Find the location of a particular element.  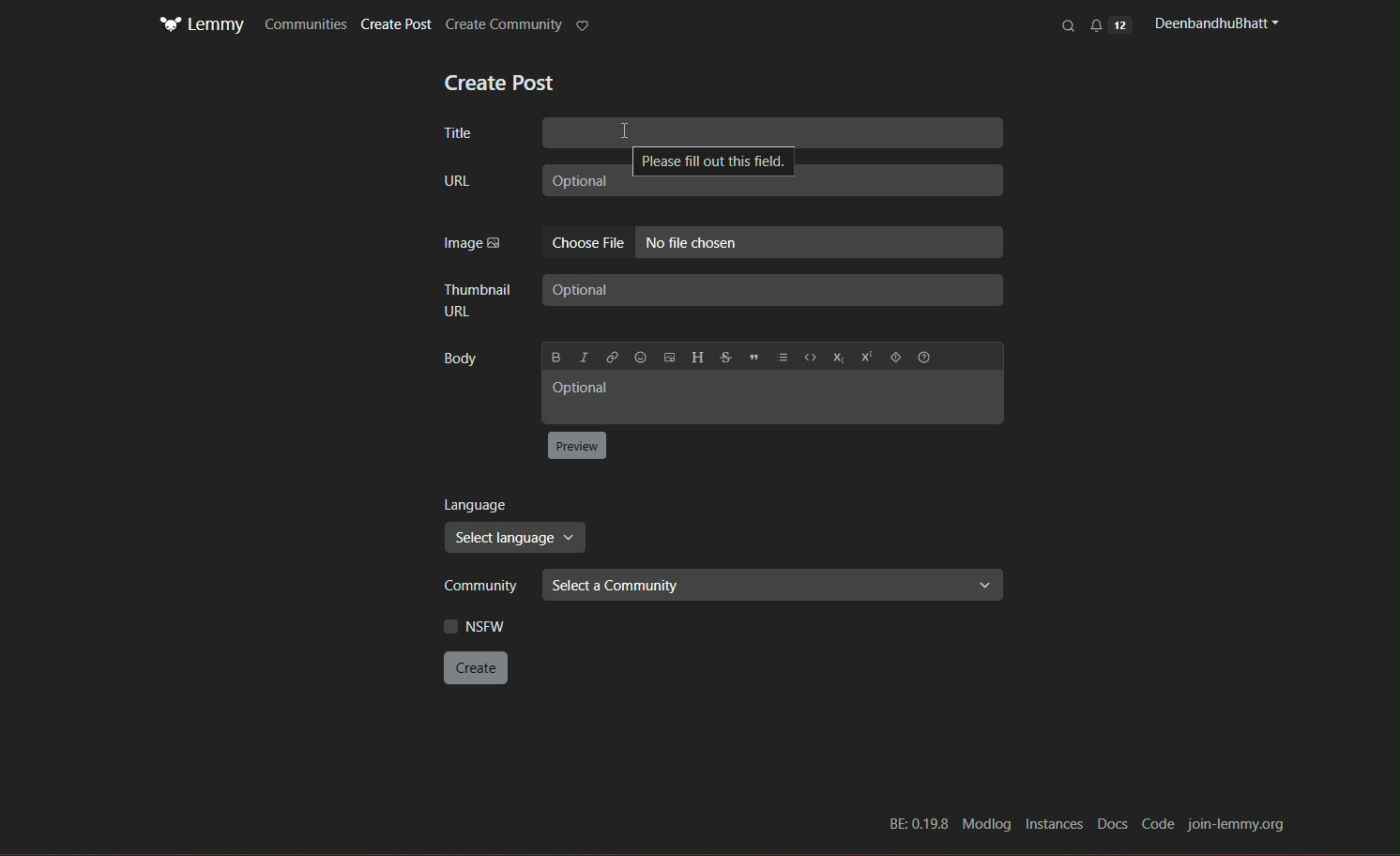

Optional is located at coordinates (774, 289).